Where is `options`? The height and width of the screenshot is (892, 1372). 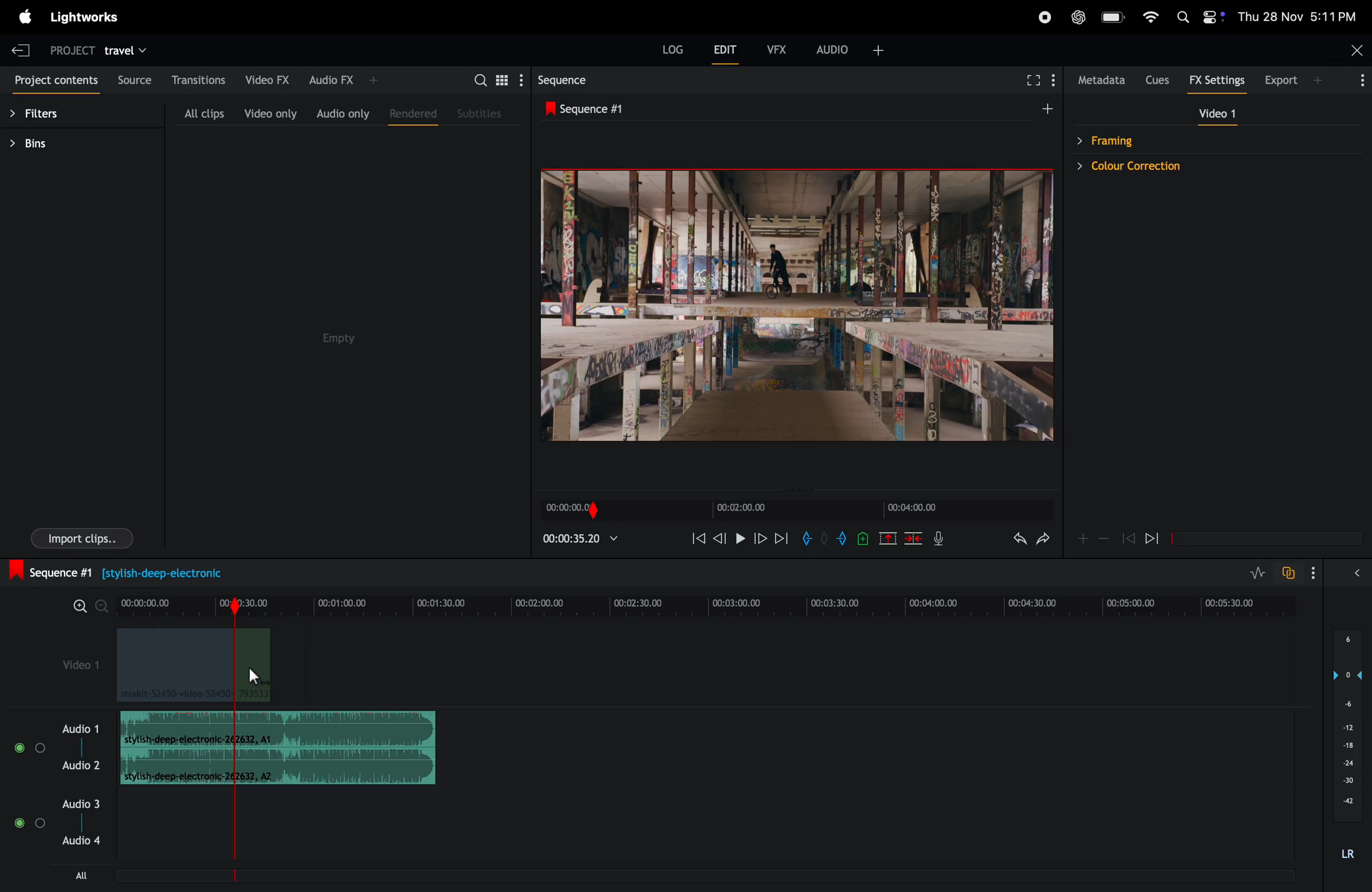
options is located at coordinates (1310, 572).